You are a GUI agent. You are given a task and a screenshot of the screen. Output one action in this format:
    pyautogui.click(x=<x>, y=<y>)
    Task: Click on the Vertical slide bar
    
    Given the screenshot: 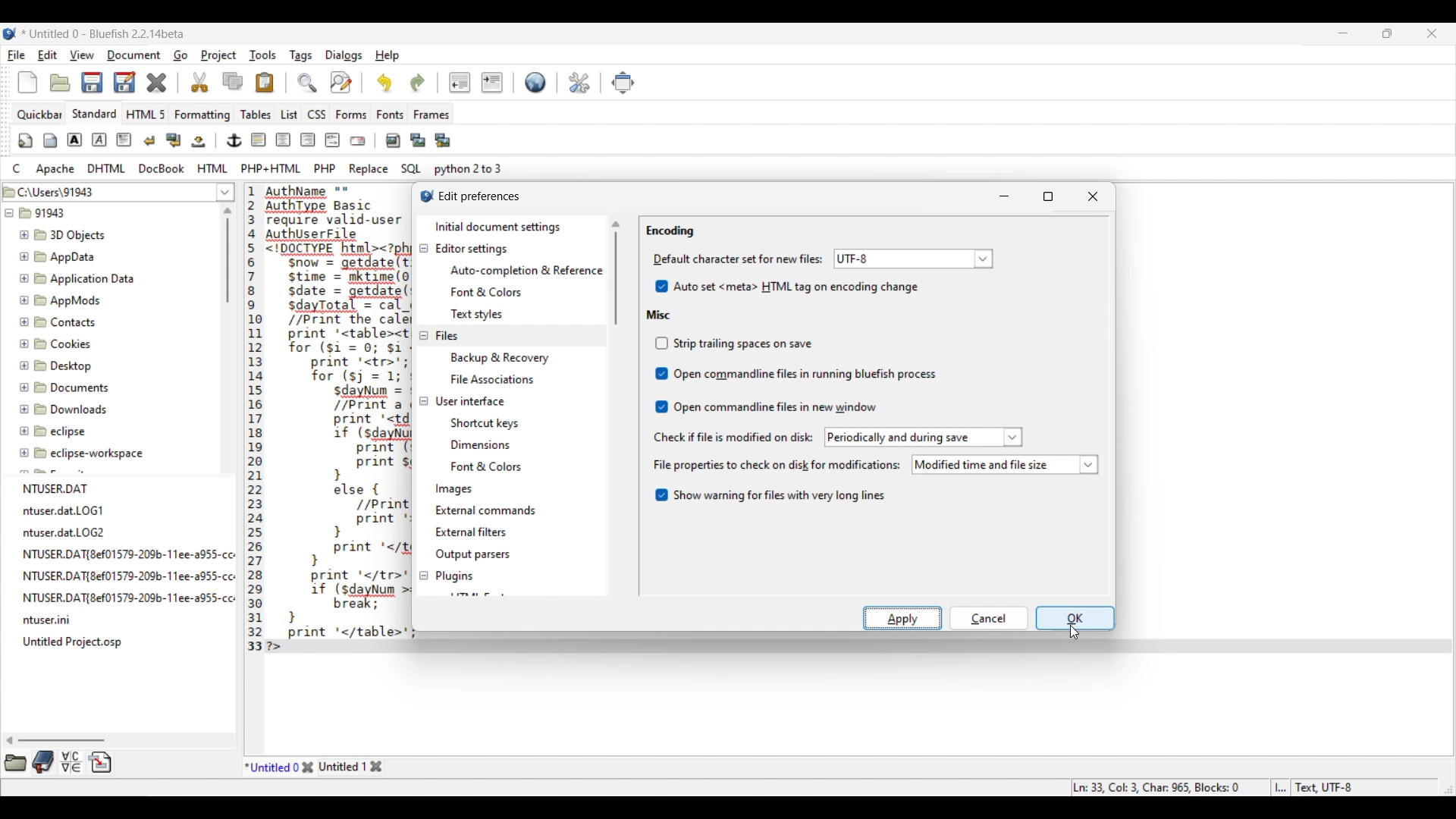 What is the action you would take?
    pyautogui.click(x=227, y=256)
    